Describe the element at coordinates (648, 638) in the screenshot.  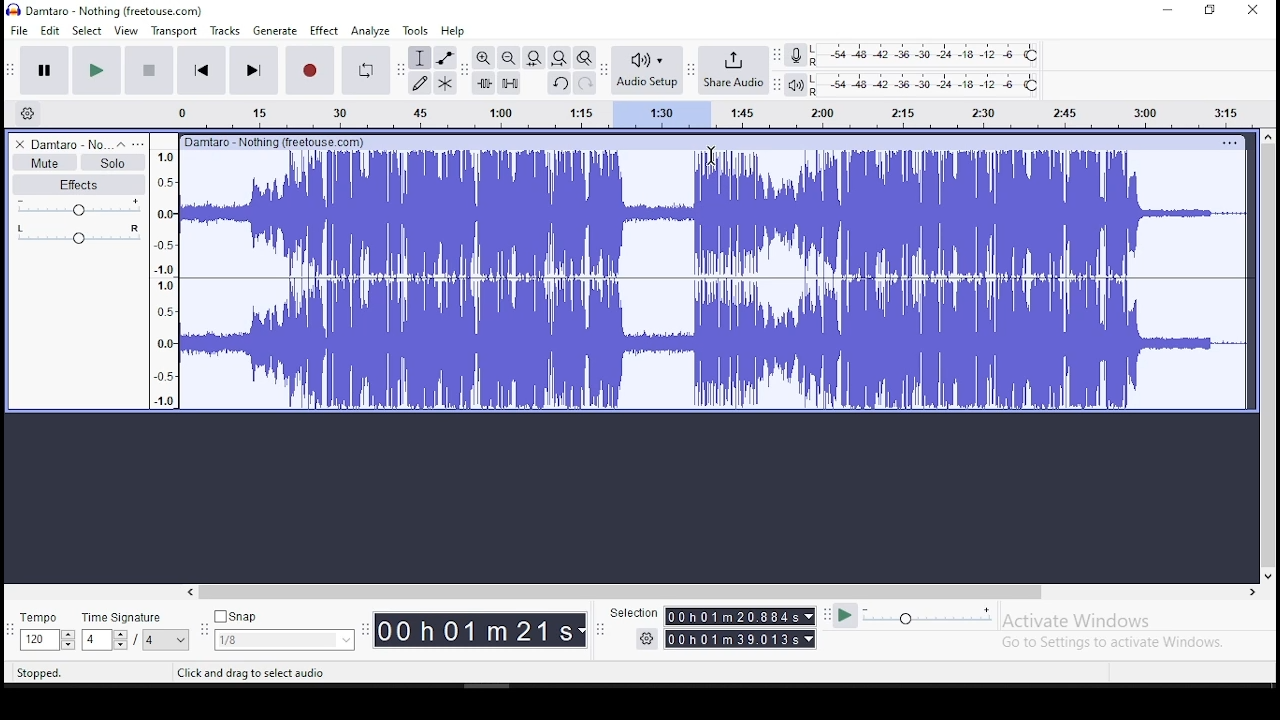
I see `Settings` at that location.